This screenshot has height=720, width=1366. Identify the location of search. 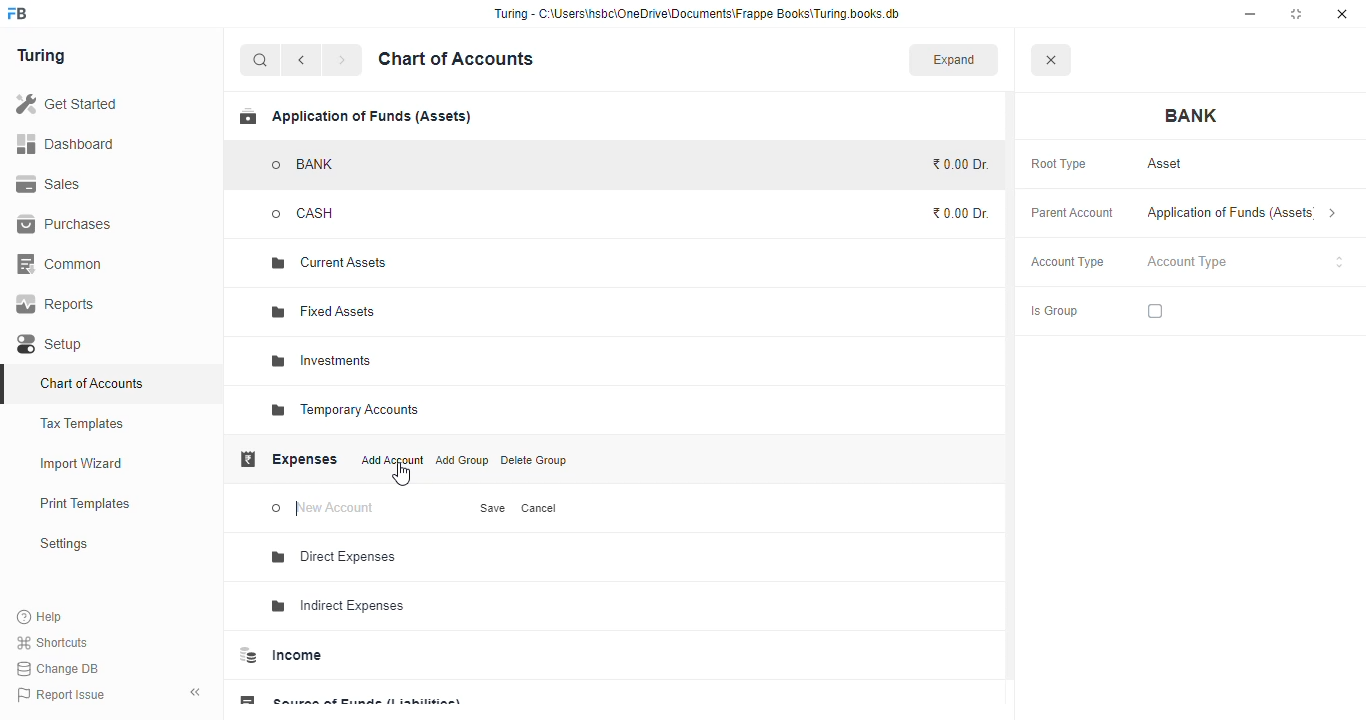
(261, 60).